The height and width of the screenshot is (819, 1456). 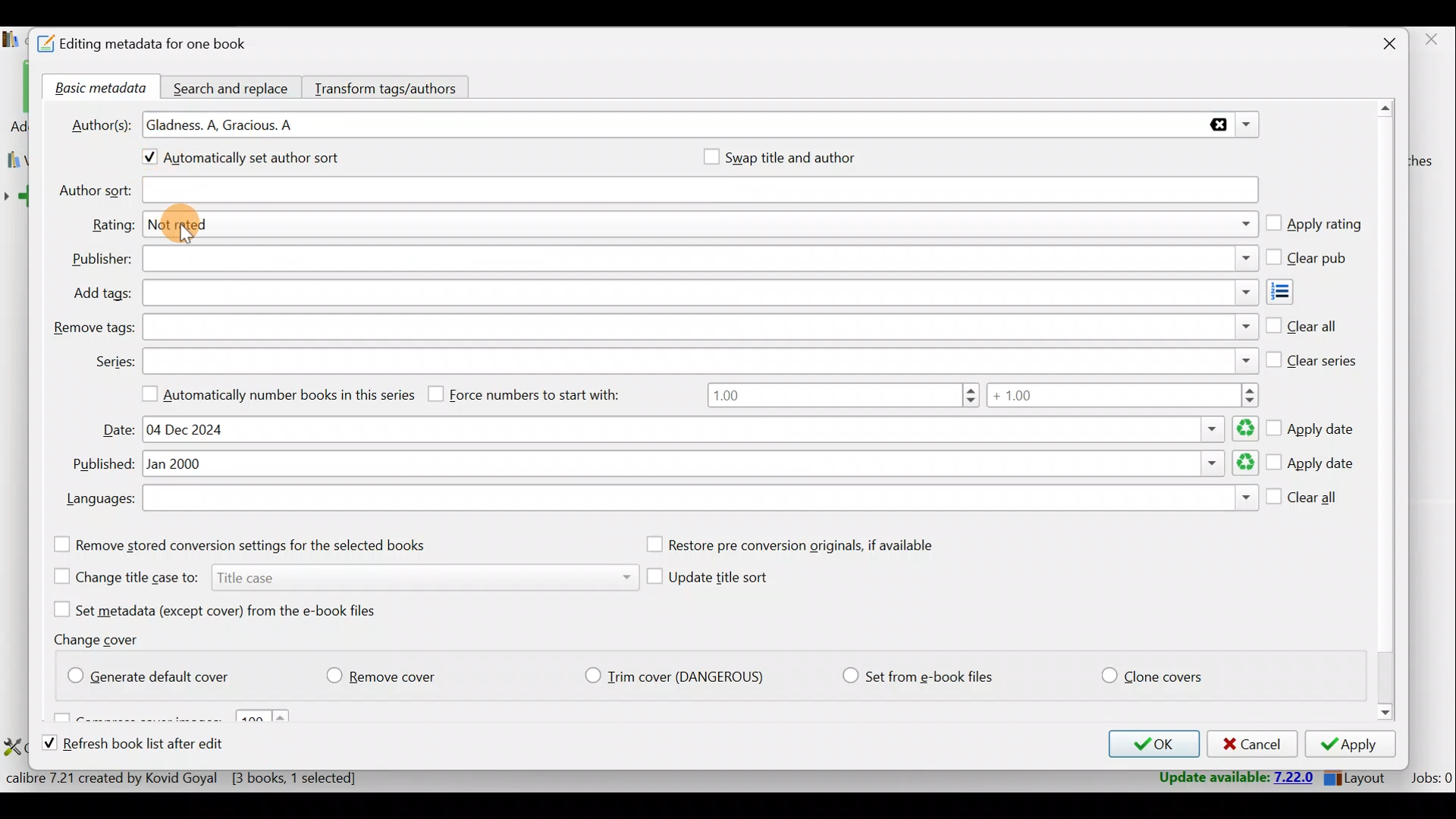 What do you see at coordinates (1355, 746) in the screenshot?
I see `Apply` at bounding box center [1355, 746].